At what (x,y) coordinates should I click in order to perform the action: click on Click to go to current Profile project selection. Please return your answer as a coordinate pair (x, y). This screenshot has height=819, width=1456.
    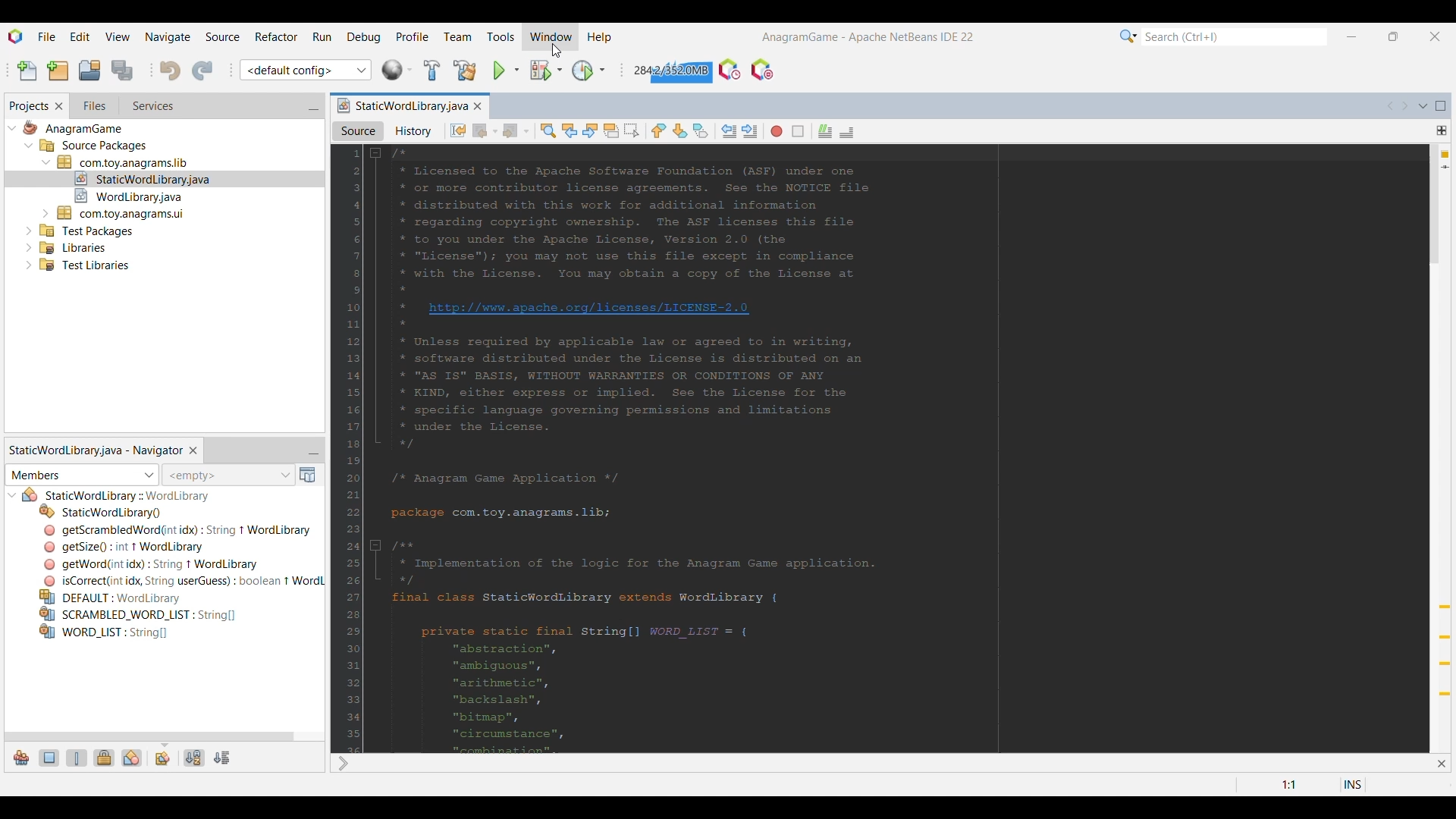
    Looking at the image, I should click on (582, 71).